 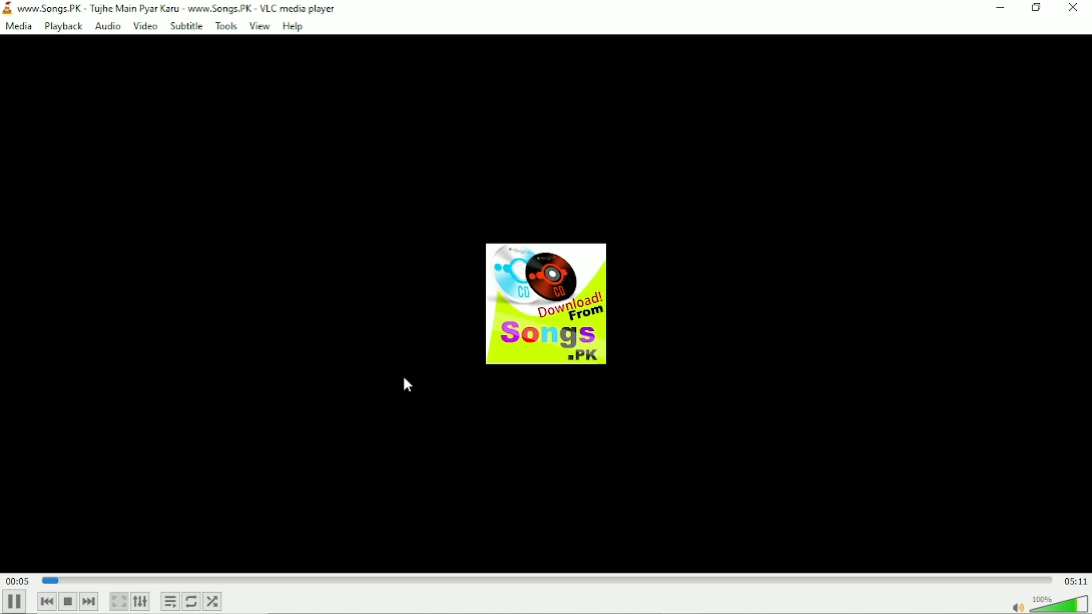 I want to click on Cursor, so click(x=410, y=386).